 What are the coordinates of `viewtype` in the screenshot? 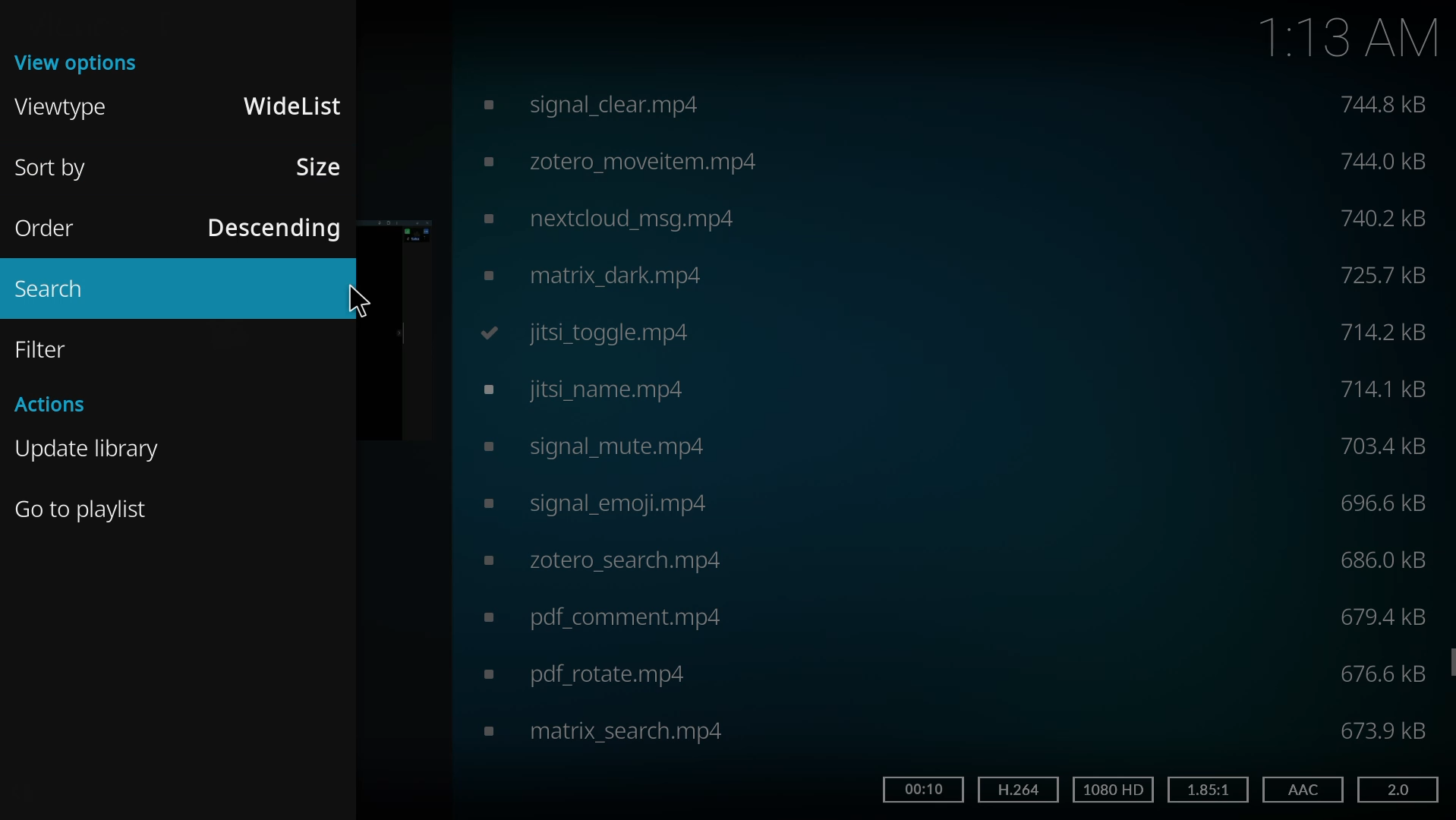 It's located at (66, 109).